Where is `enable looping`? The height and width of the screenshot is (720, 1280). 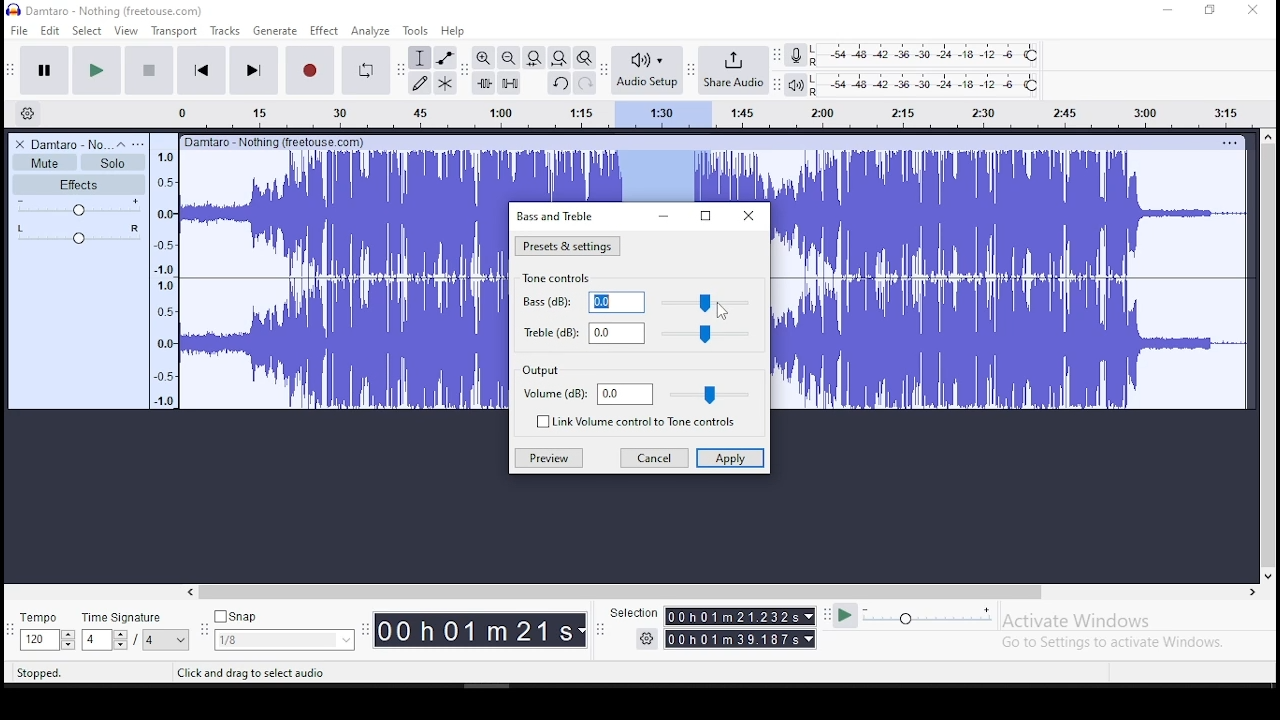 enable looping is located at coordinates (364, 71).